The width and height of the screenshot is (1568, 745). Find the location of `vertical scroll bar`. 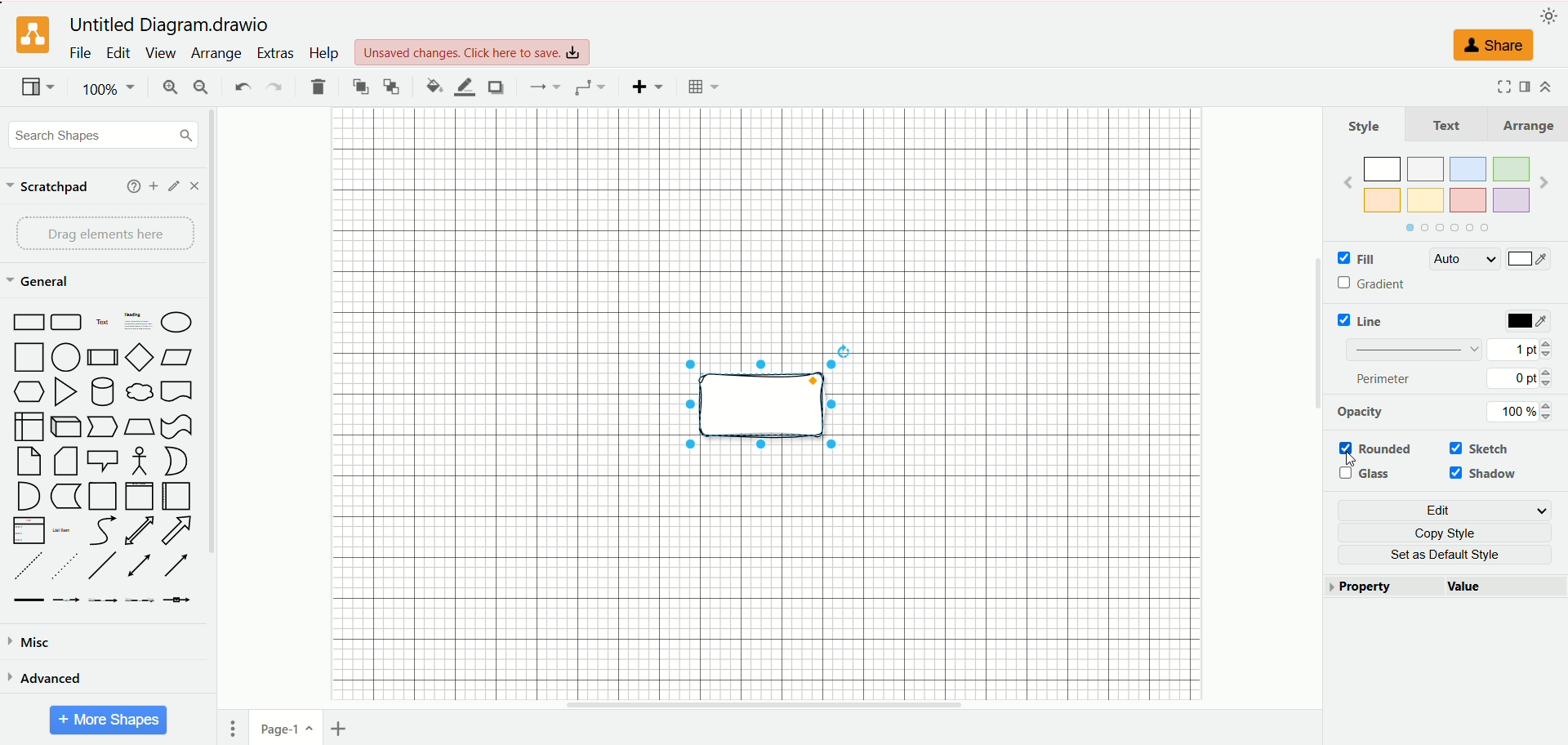

vertical scroll bar is located at coordinates (1316, 409).